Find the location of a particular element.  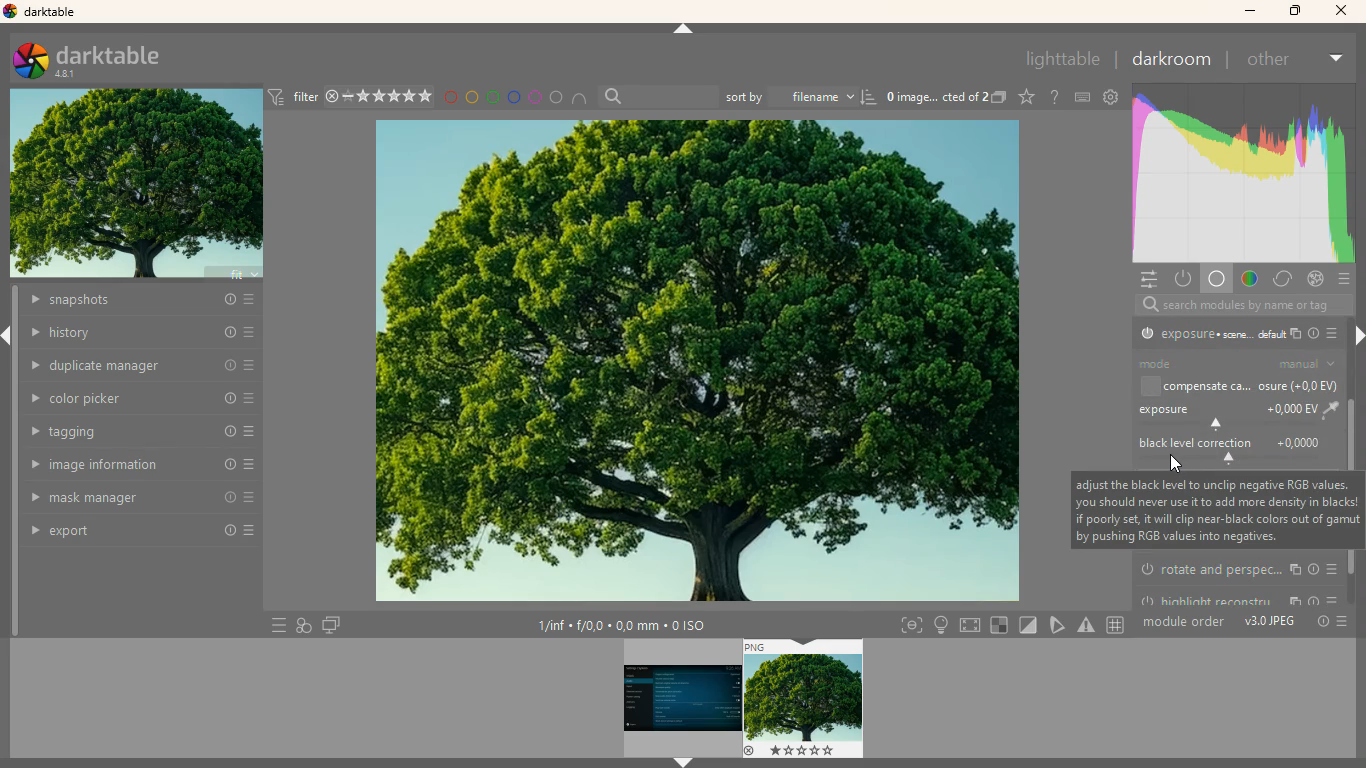

yellow circle is located at coordinates (470, 96).